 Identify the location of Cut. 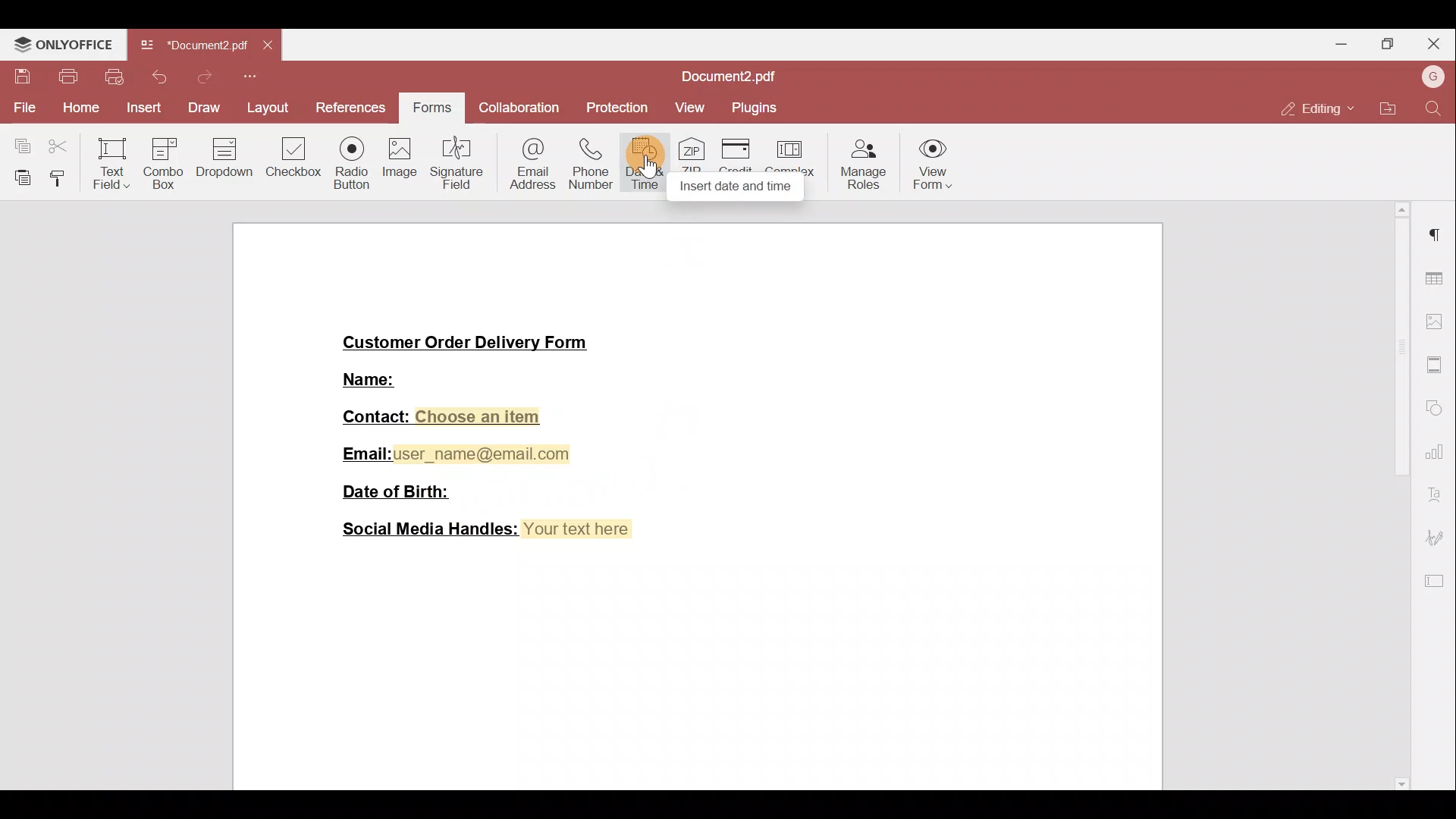
(62, 143).